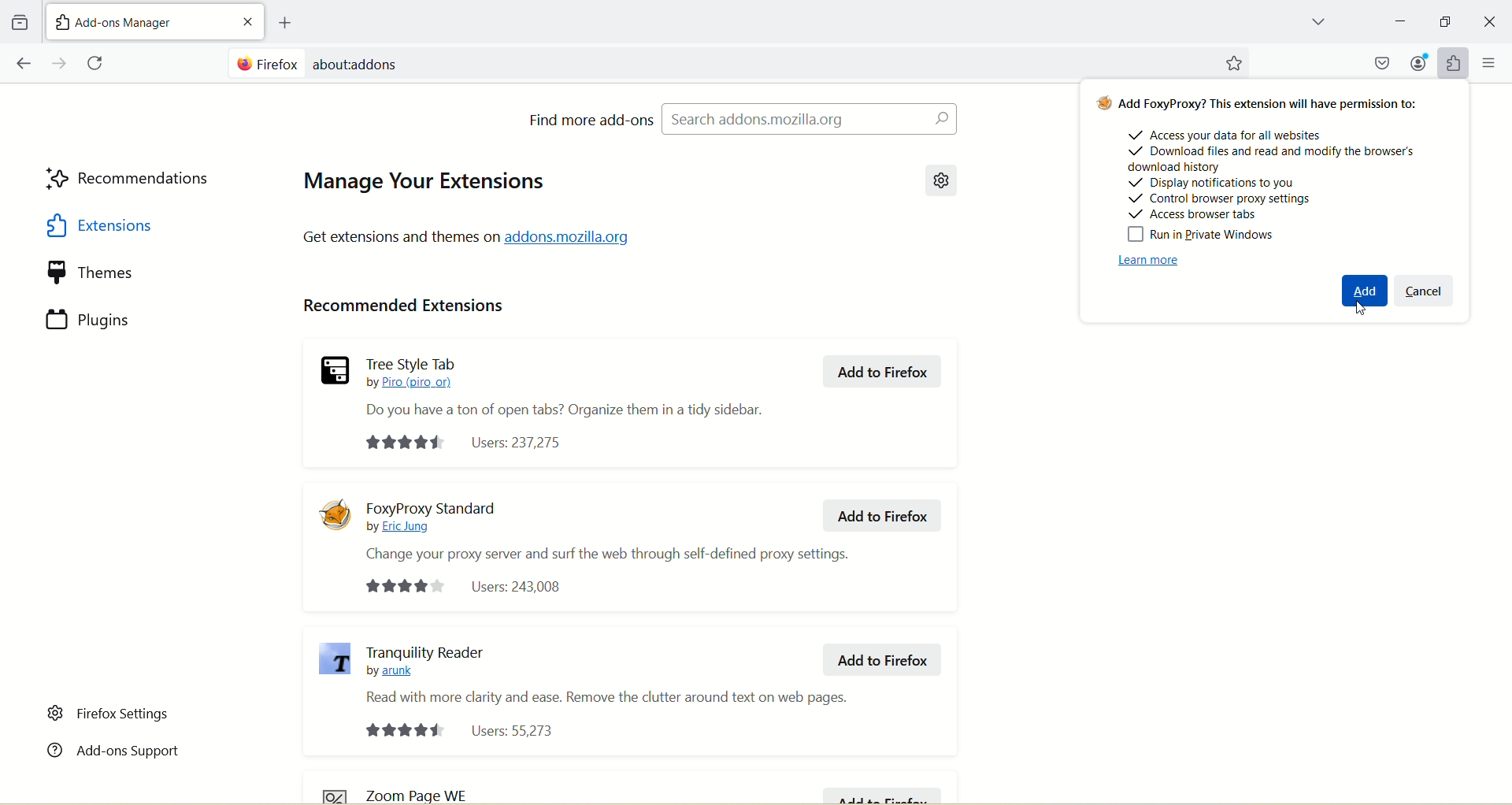  Describe the element at coordinates (23, 63) in the screenshot. I see `Move backward` at that location.